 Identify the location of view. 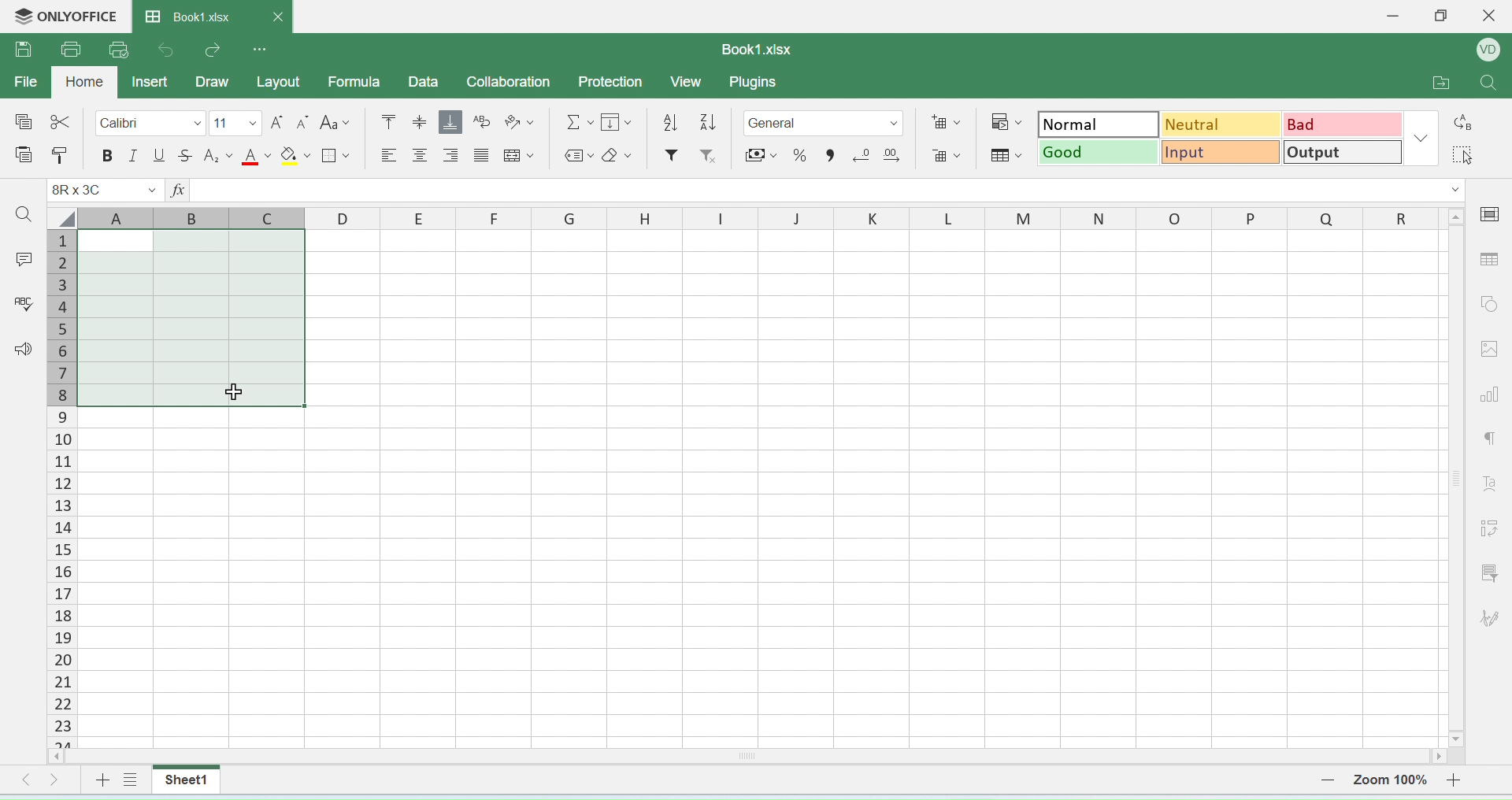
(684, 82).